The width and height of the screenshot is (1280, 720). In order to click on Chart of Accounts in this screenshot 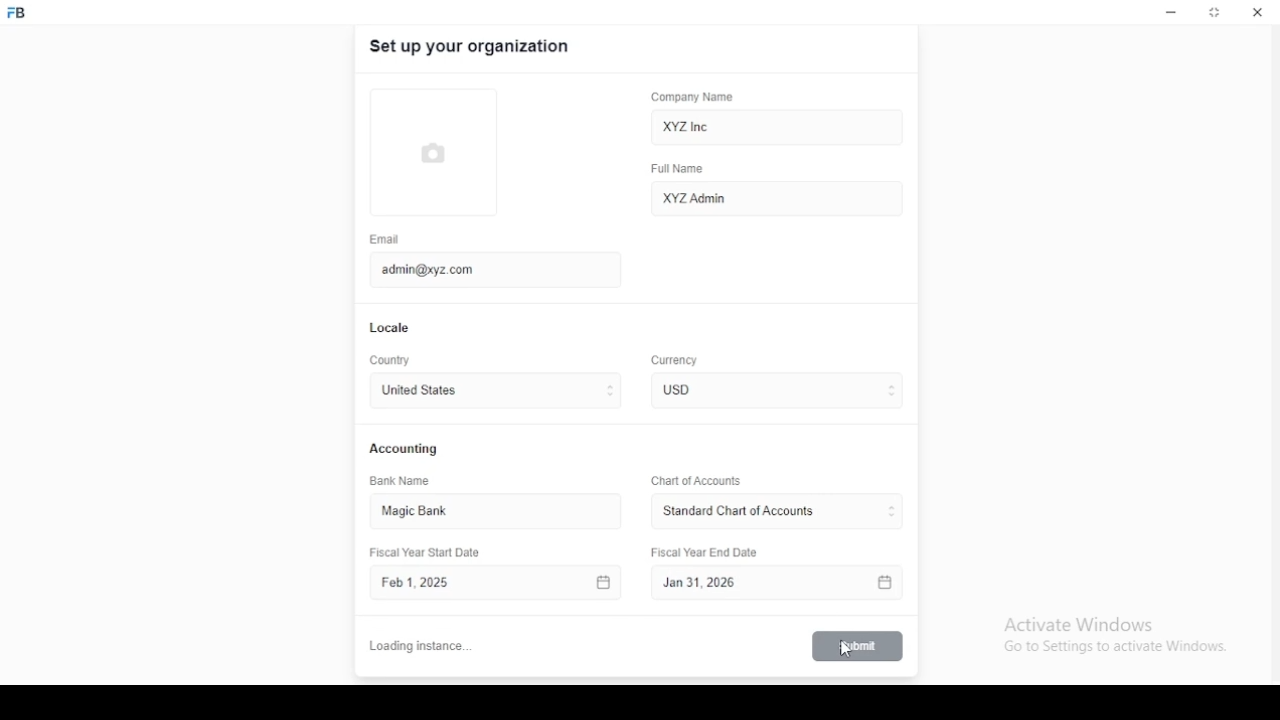, I will do `click(693, 480)`.